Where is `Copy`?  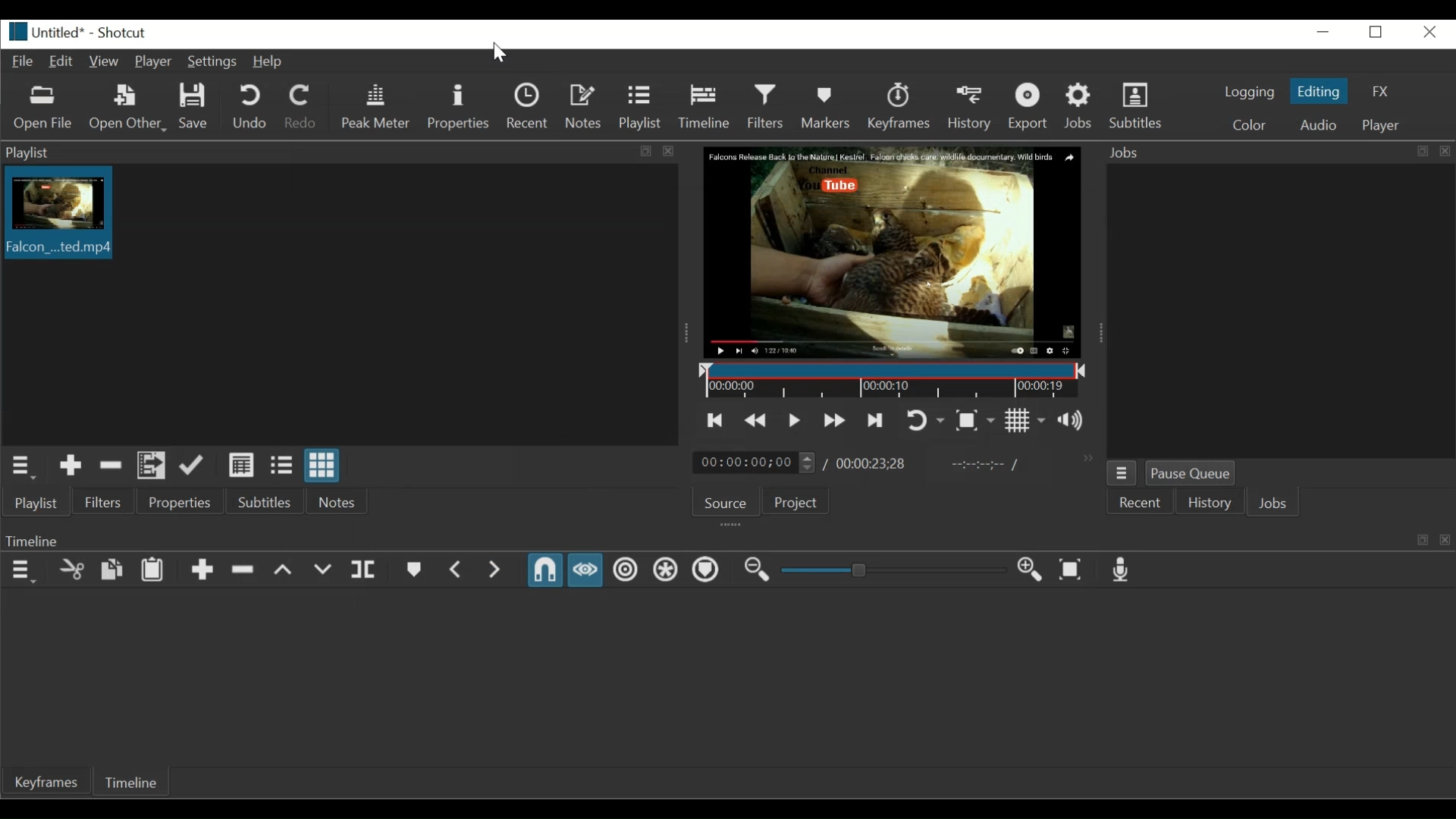 Copy is located at coordinates (111, 570).